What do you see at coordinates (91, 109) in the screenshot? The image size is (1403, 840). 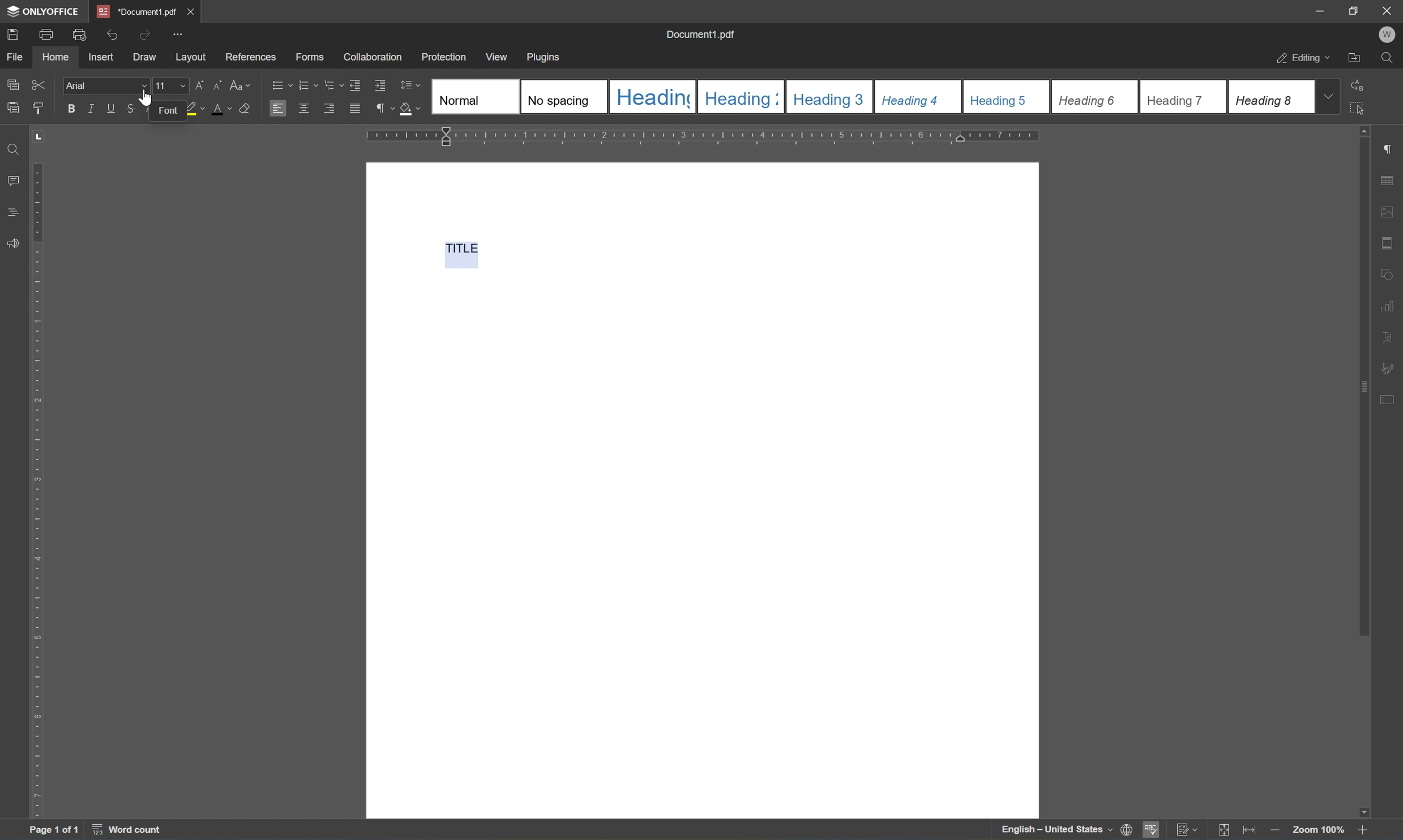 I see `italic` at bounding box center [91, 109].